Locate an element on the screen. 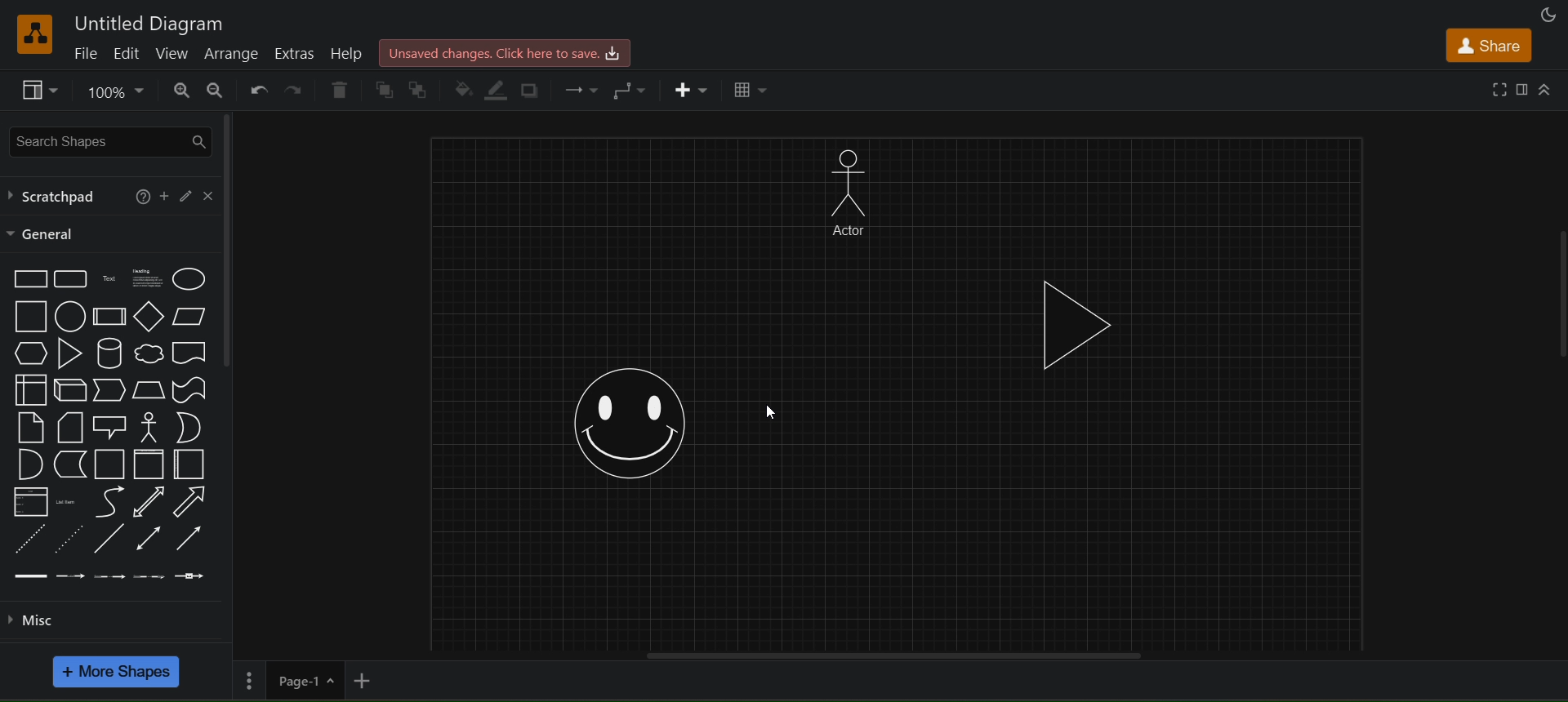  close is located at coordinates (208, 194).